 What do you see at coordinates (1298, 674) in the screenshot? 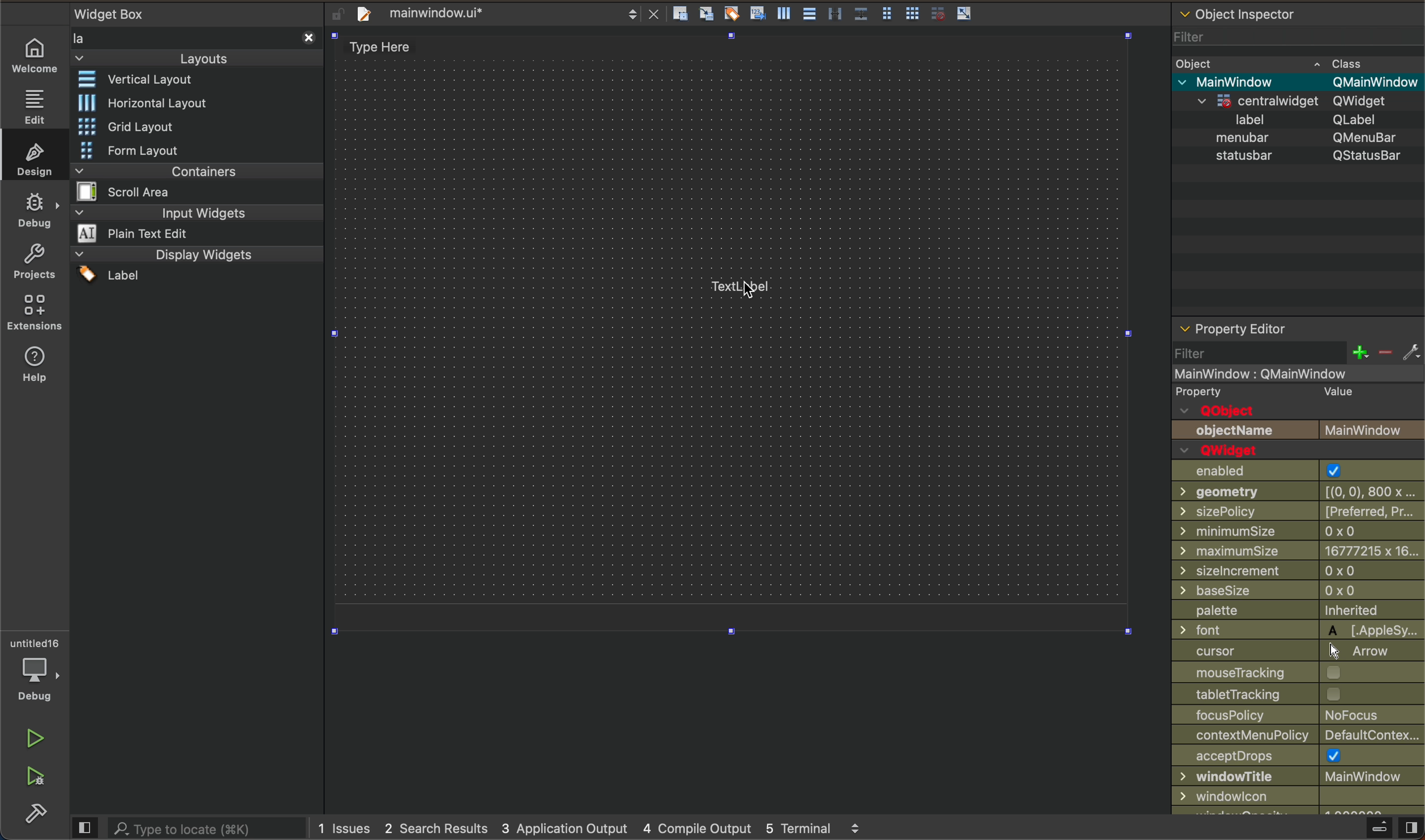
I see `` at bounding box center [1298, 674].